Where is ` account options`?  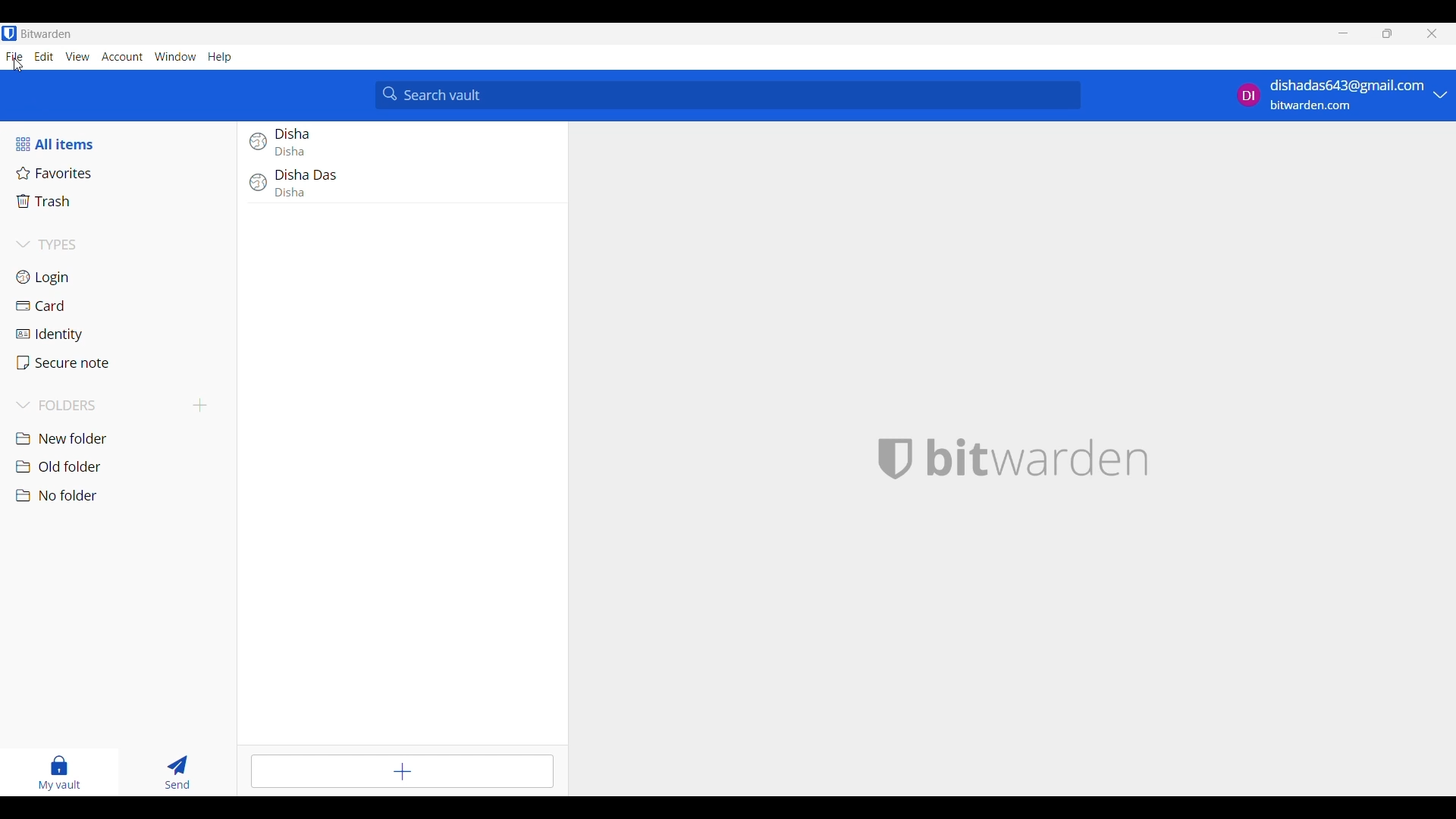
 account options is located at coordinates (1341, 95).